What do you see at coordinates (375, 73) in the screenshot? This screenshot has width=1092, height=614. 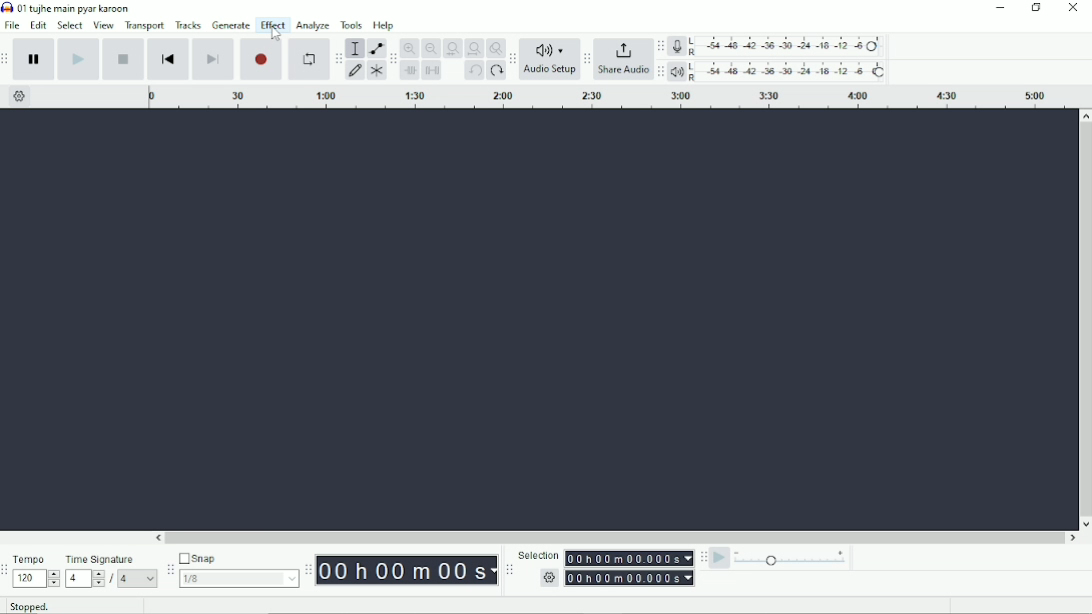 I see `Multi-tool` at bounding box center [375, 73].